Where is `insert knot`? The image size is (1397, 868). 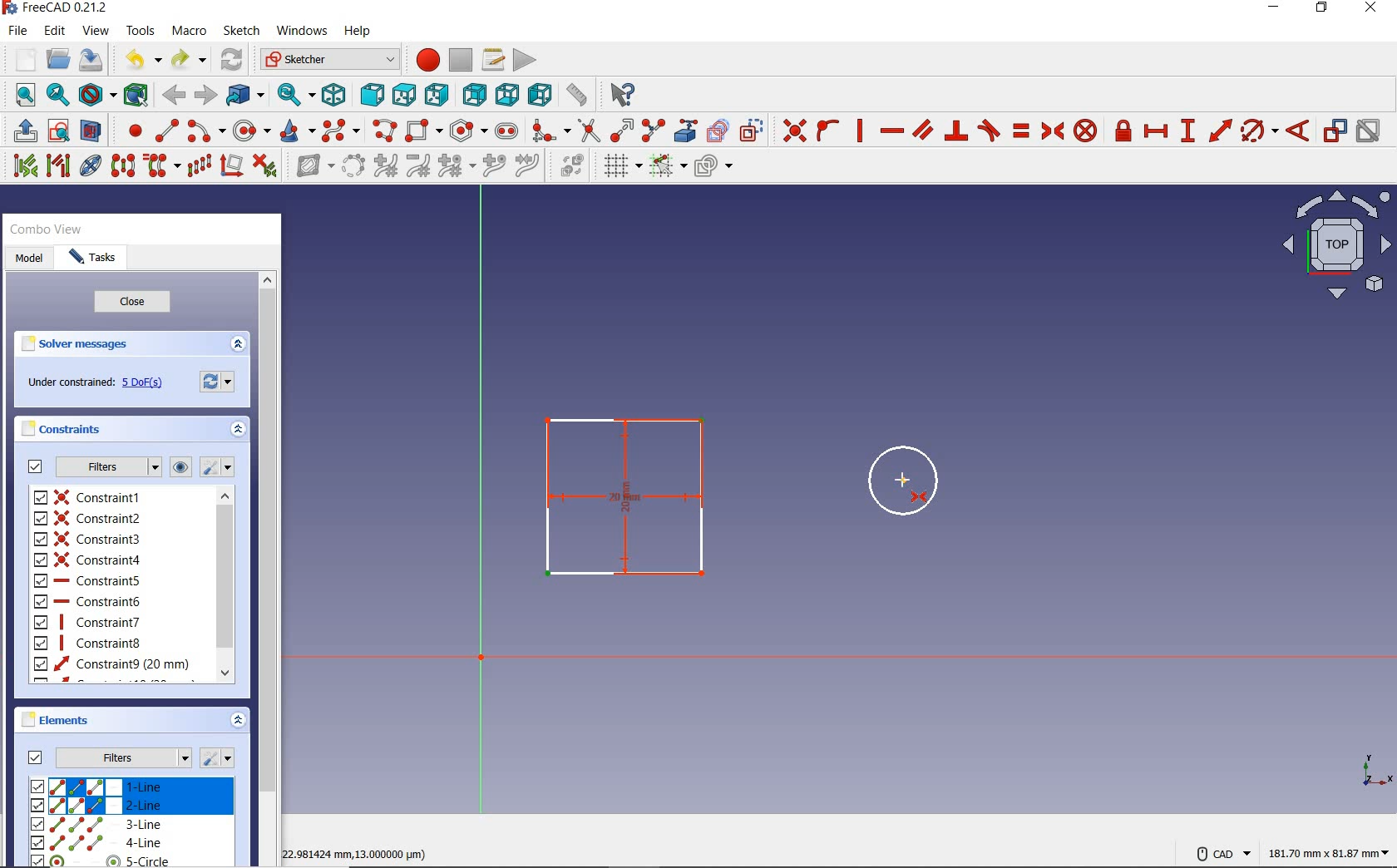 insert knot is located at coordinates (493, 167).